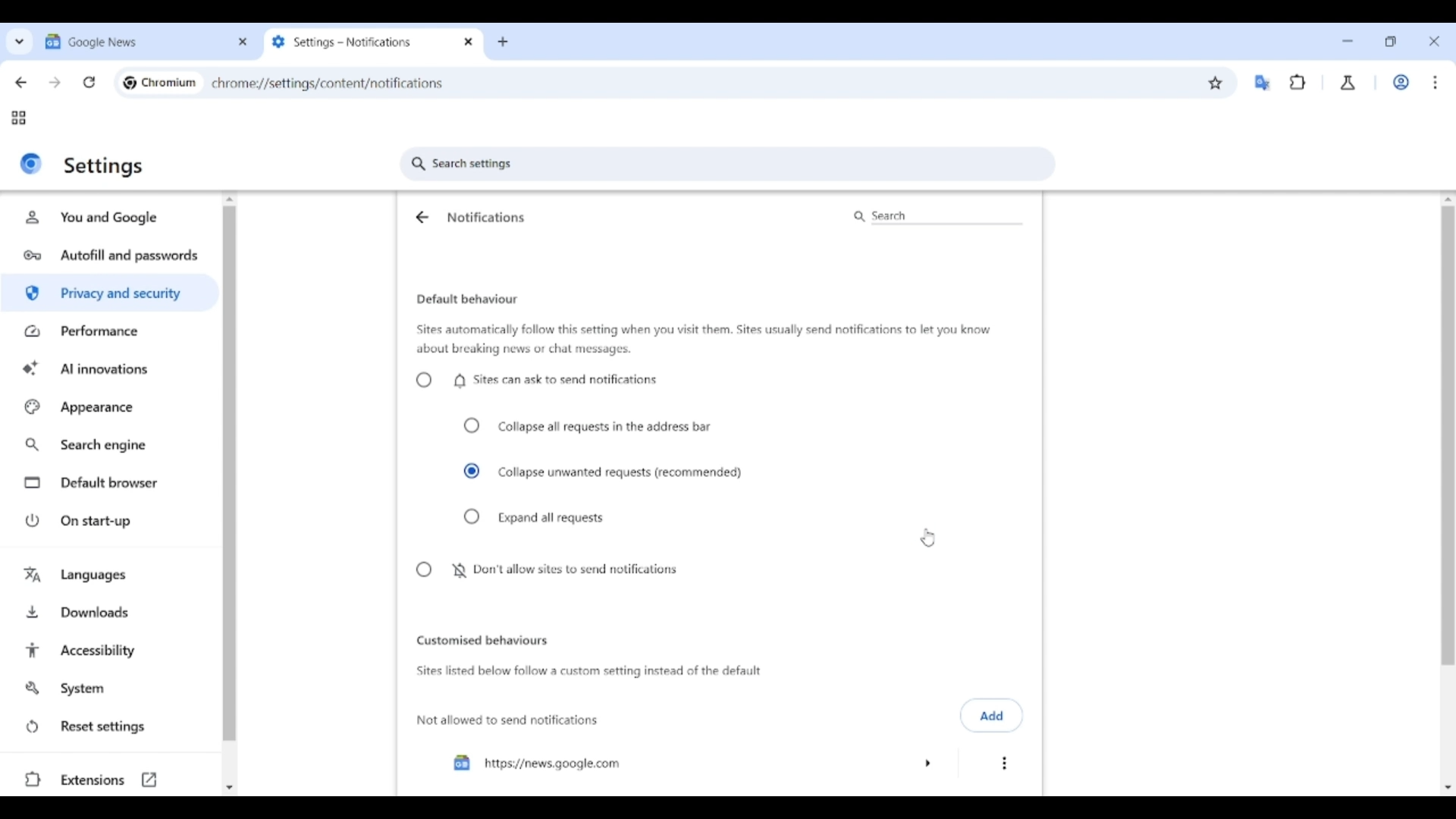 This screenshot has height=819, width=1456. What do you see at coordinates (108, 780) in the screenshot?
I see `Extensions` at bounding box center [108, 780].